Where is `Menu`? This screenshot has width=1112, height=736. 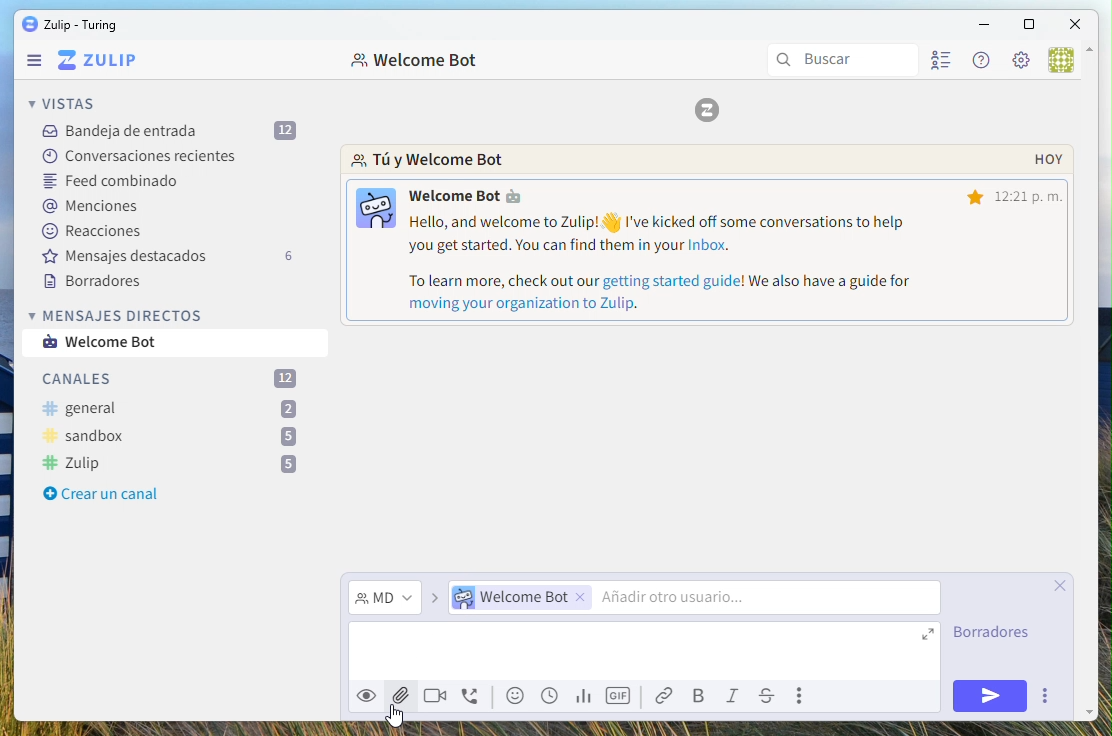 Menu is located at coordinates (35, 62).